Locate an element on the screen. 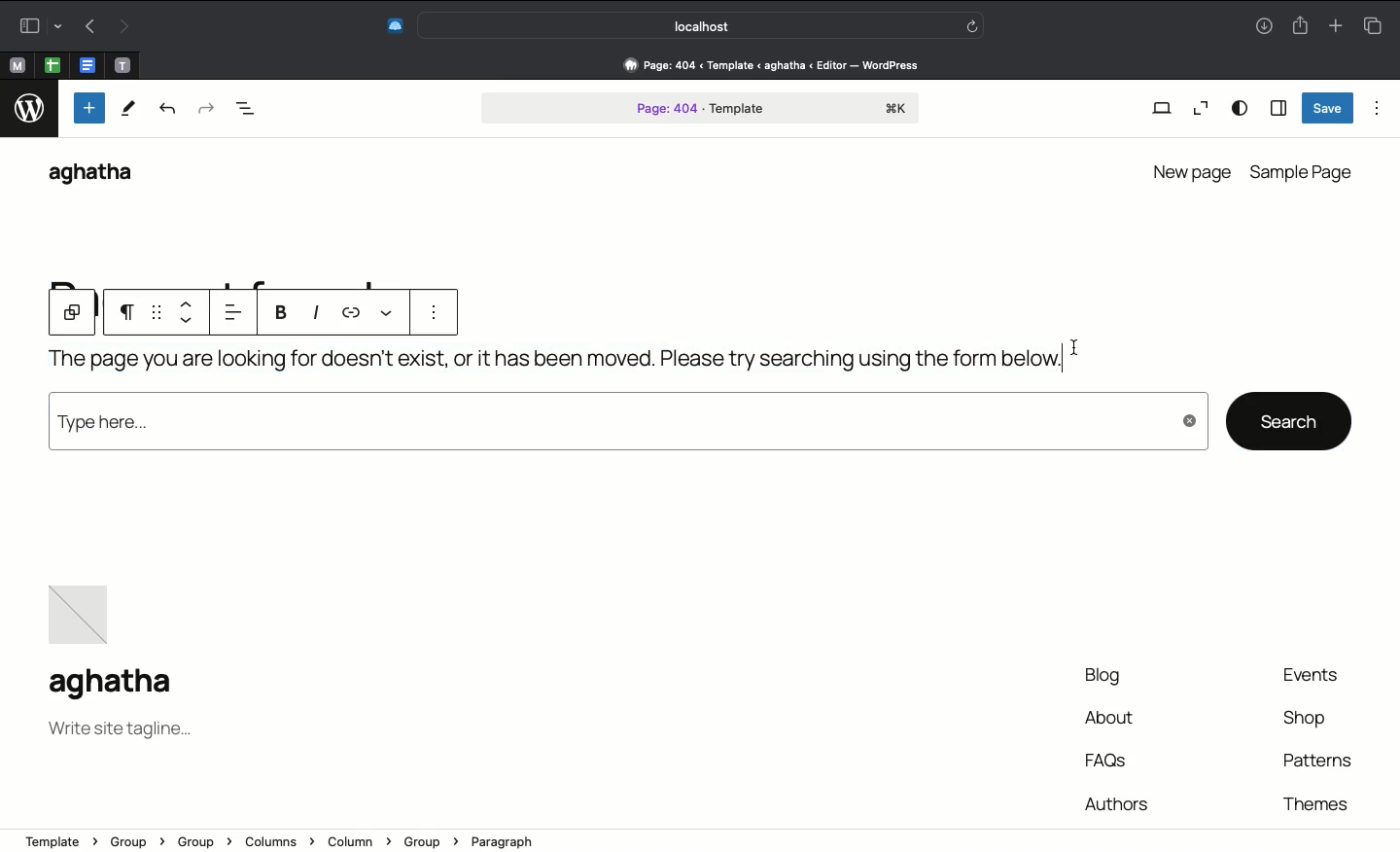 Image resolution: width=1400 pixels, height=852 pixels. Share is located at coordinates (1299, 23).